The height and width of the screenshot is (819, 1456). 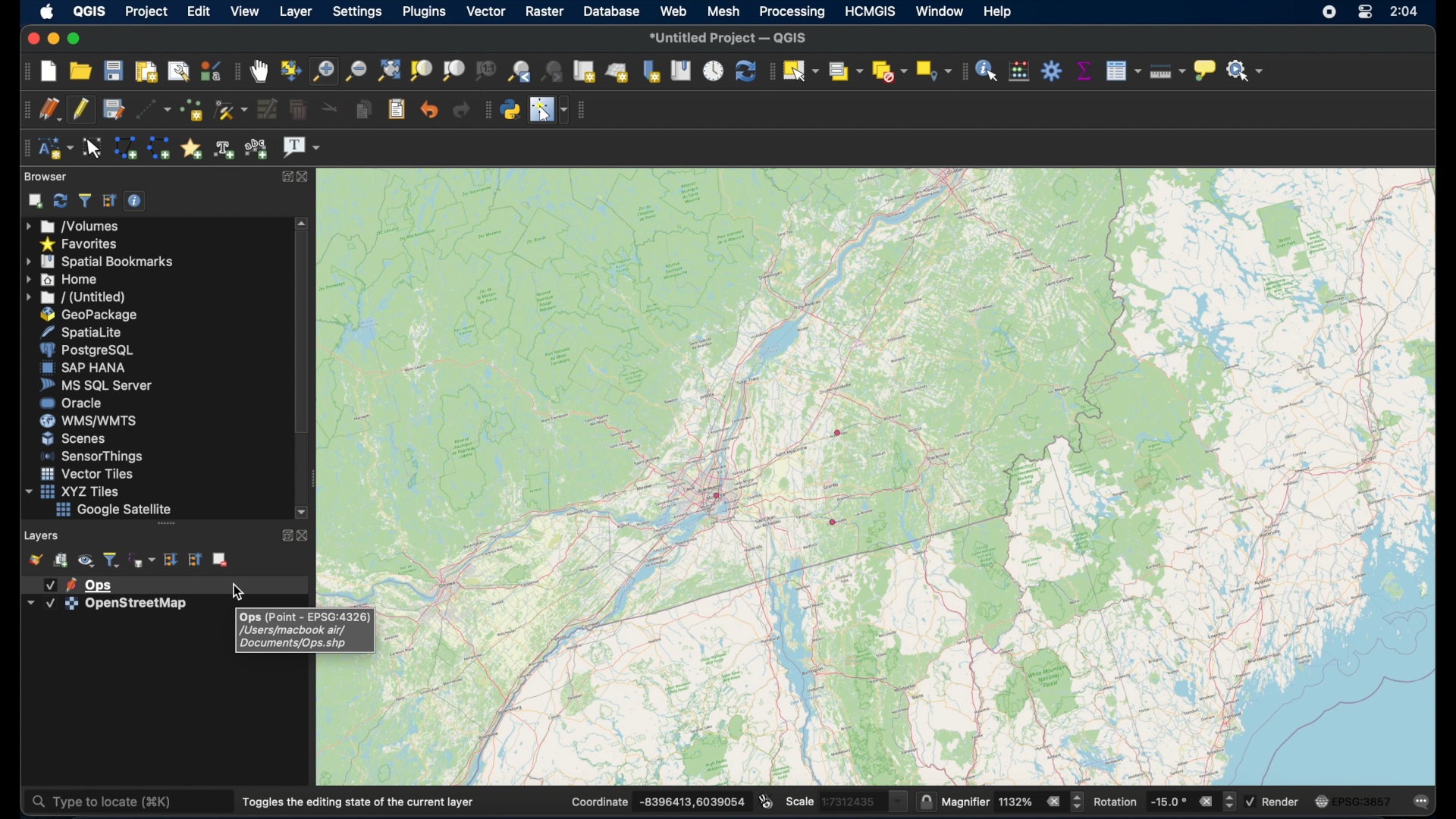 What do you see at coordinates (302, 148) in the screenshot?
I see `text annotation` at bounding box center [302, 148].